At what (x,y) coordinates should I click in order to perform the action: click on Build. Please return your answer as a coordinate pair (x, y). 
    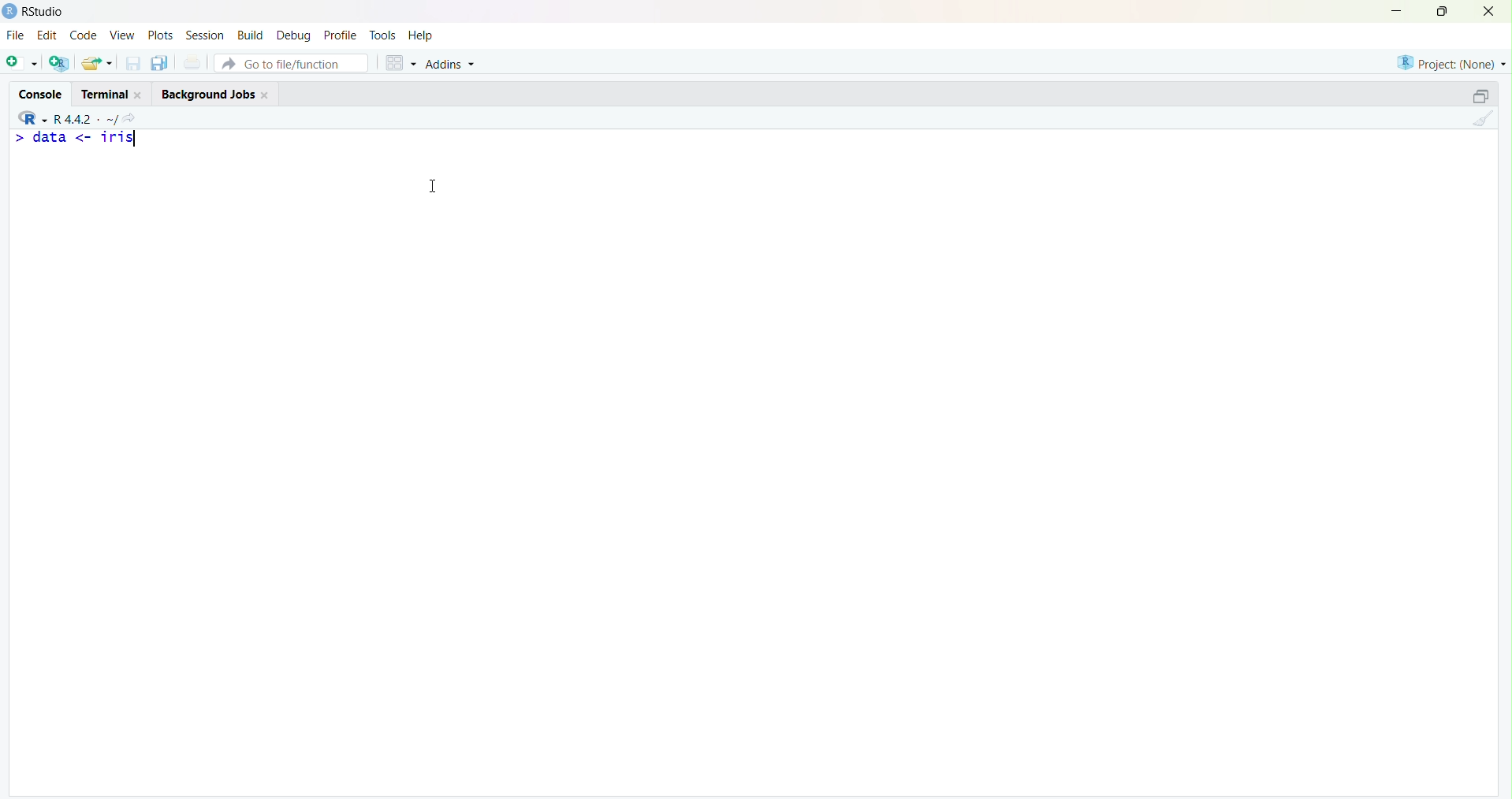
    Looking at the image, I should click on (252, 34).